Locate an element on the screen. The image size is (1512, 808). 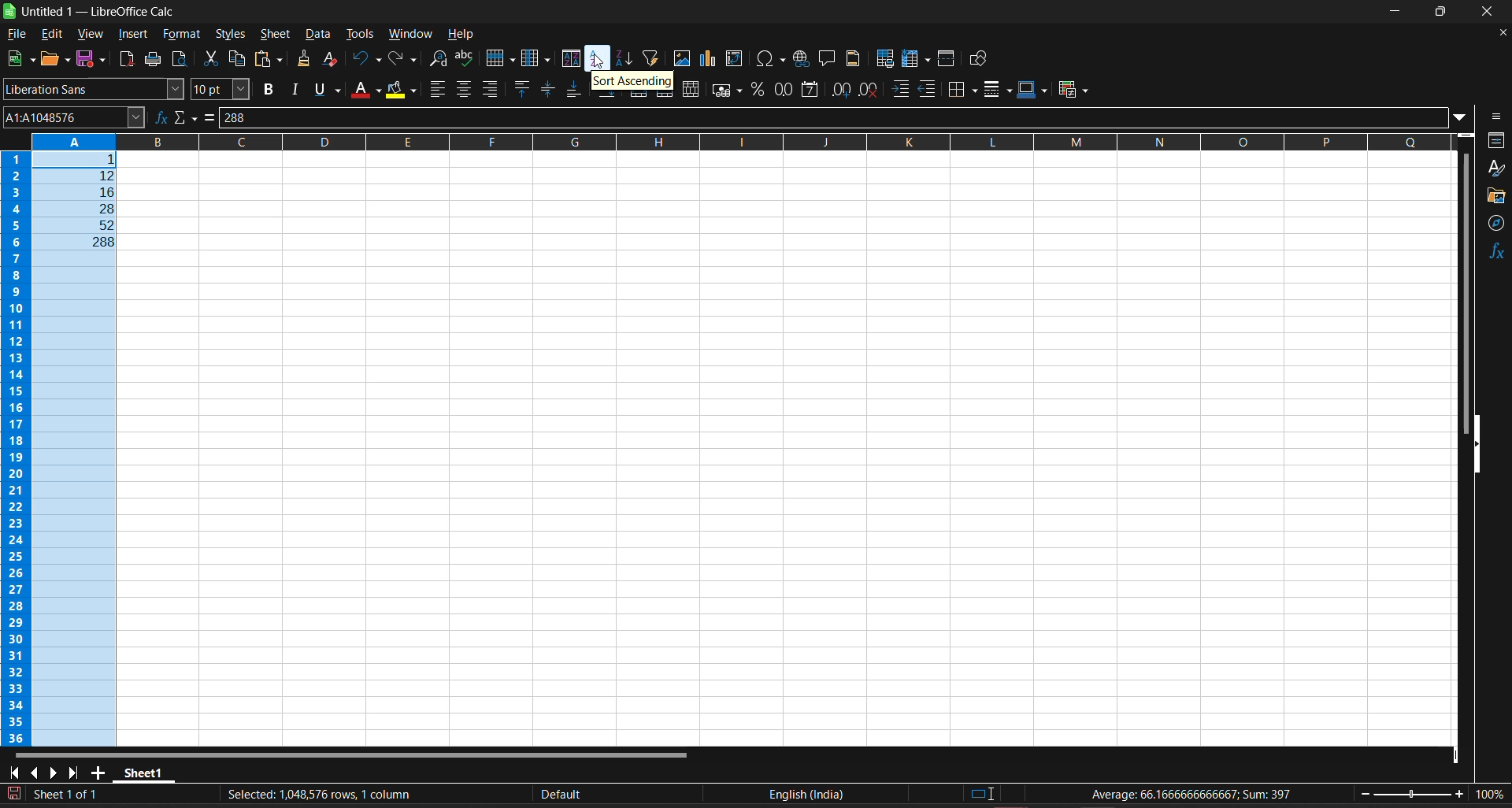
borders is located at coordinates (963, 89).